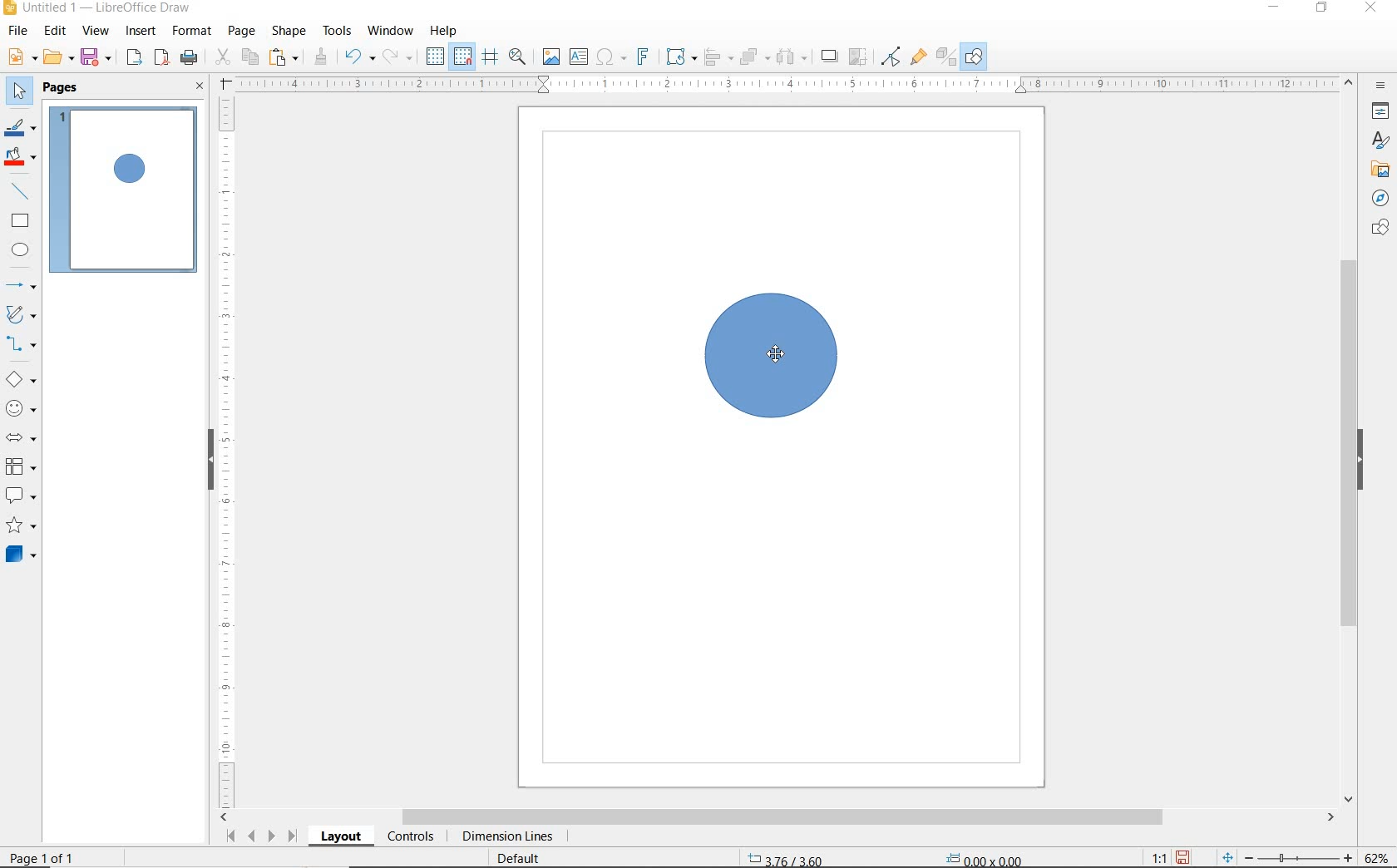 Image resolution: width=1397 pixels, height=868 pixels. What do you see at coordinates (224, 81) in the screenshot?
I see `Adjust margins` at bounding box center [224, 81].